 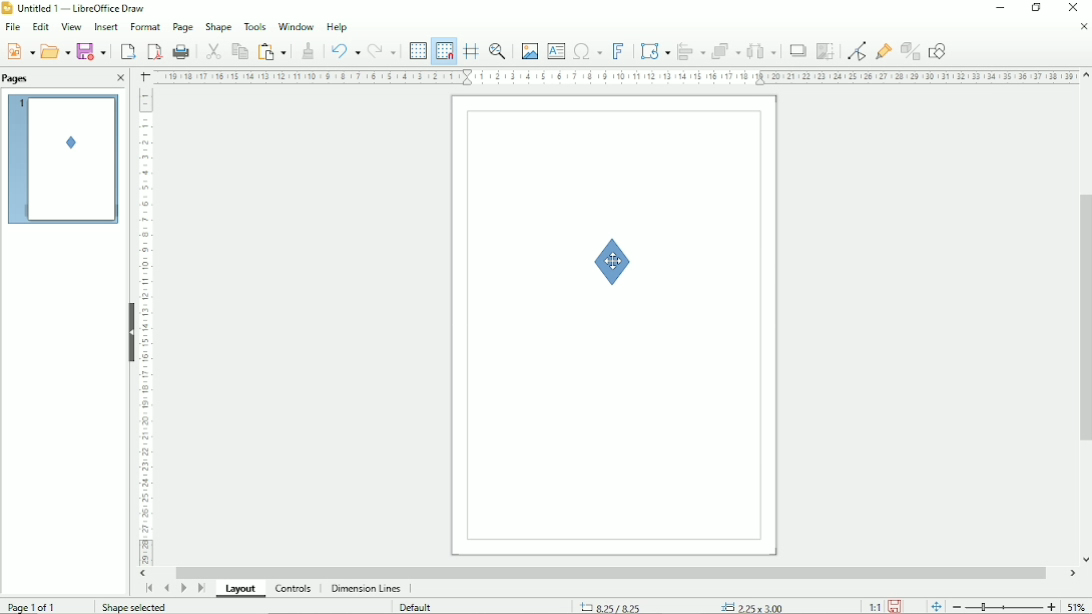 I want to click on Close, so click(x=1082, y=27).